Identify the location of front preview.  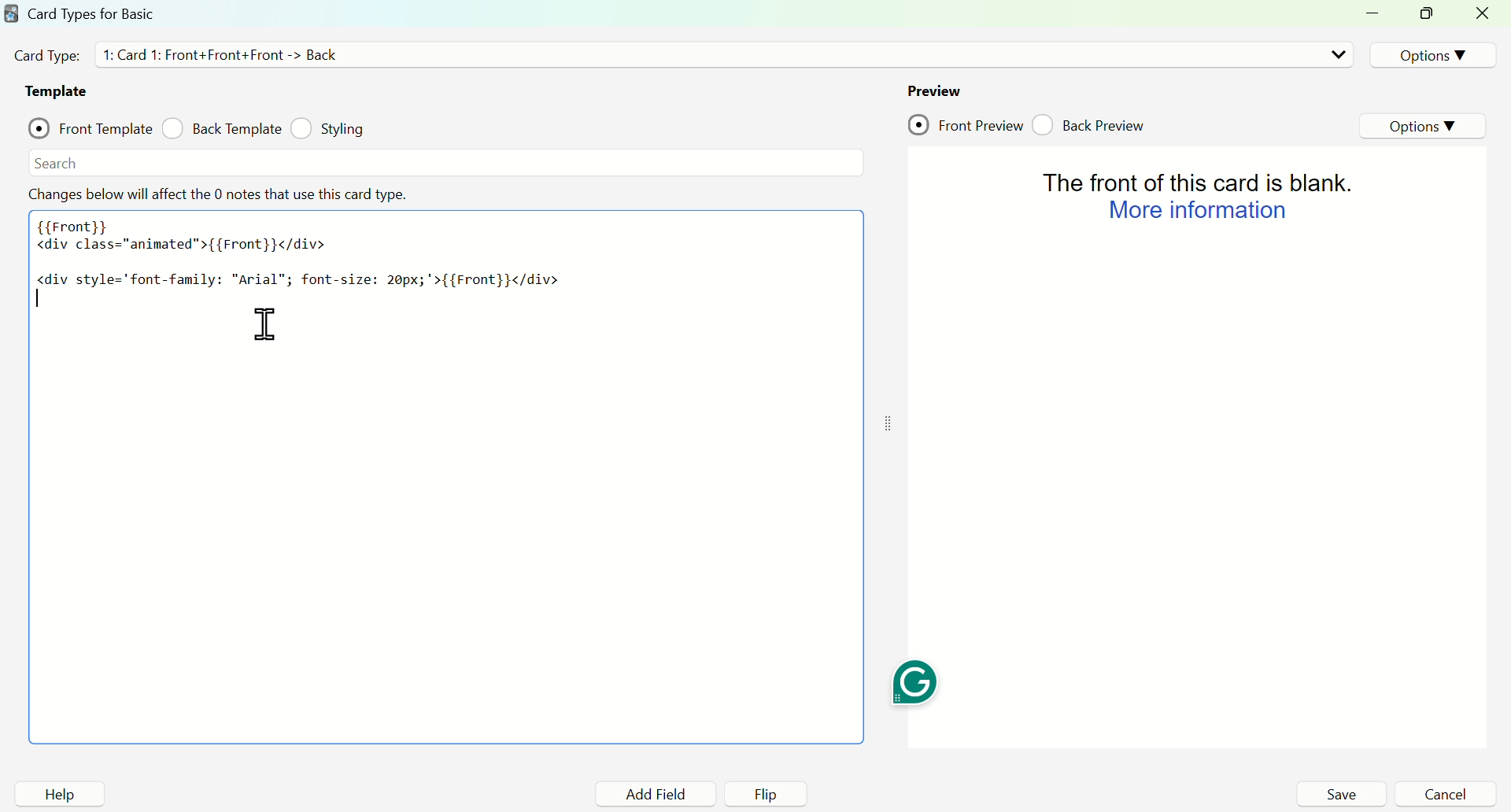
(966, 126).